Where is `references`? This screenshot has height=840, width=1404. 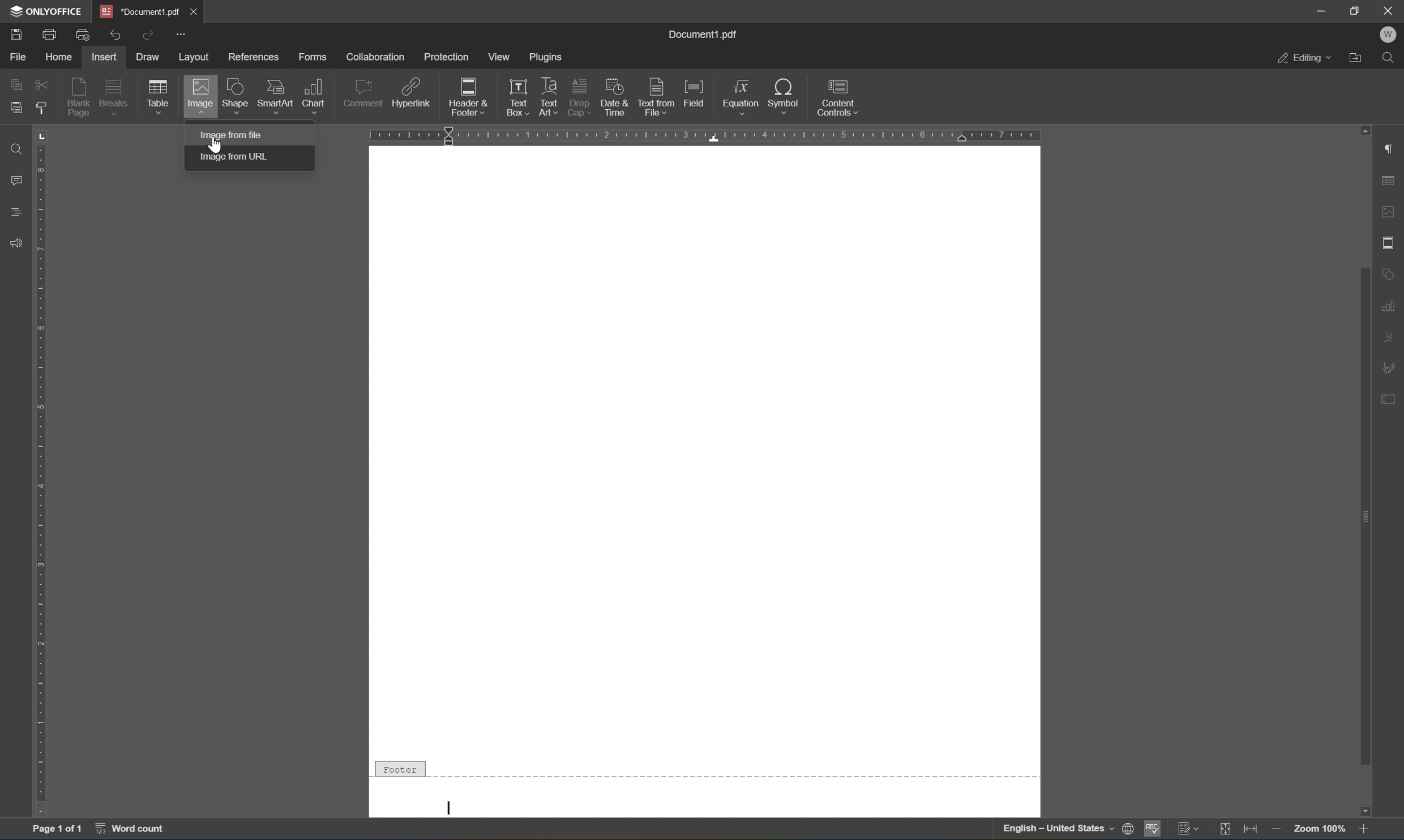
references is located at coordinates (251, 59).